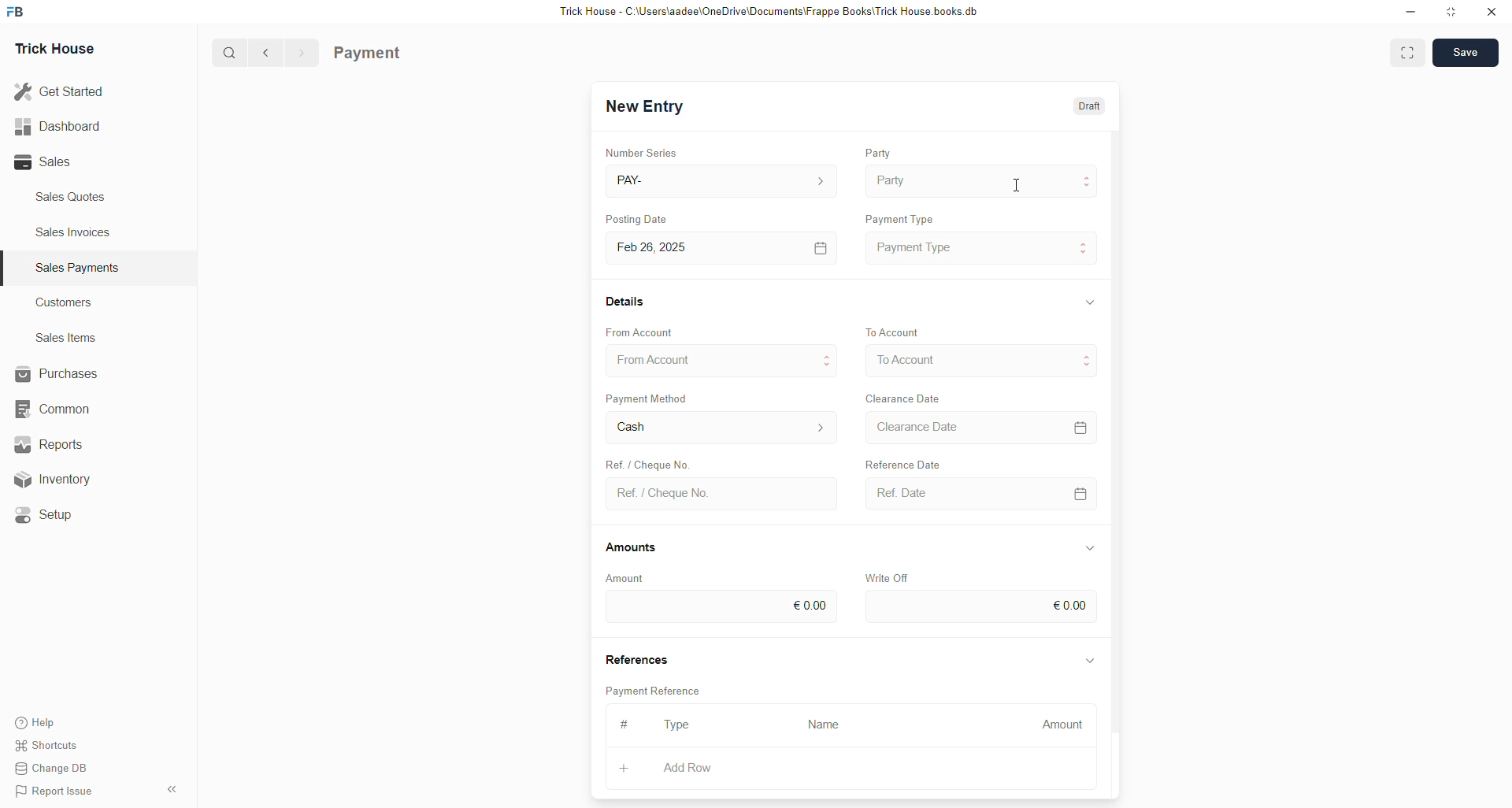 The height and width of the screenshot is (808, 1512). Describe the element at coordinates (677, 725) in the screenshot. I see `Type` at that location.